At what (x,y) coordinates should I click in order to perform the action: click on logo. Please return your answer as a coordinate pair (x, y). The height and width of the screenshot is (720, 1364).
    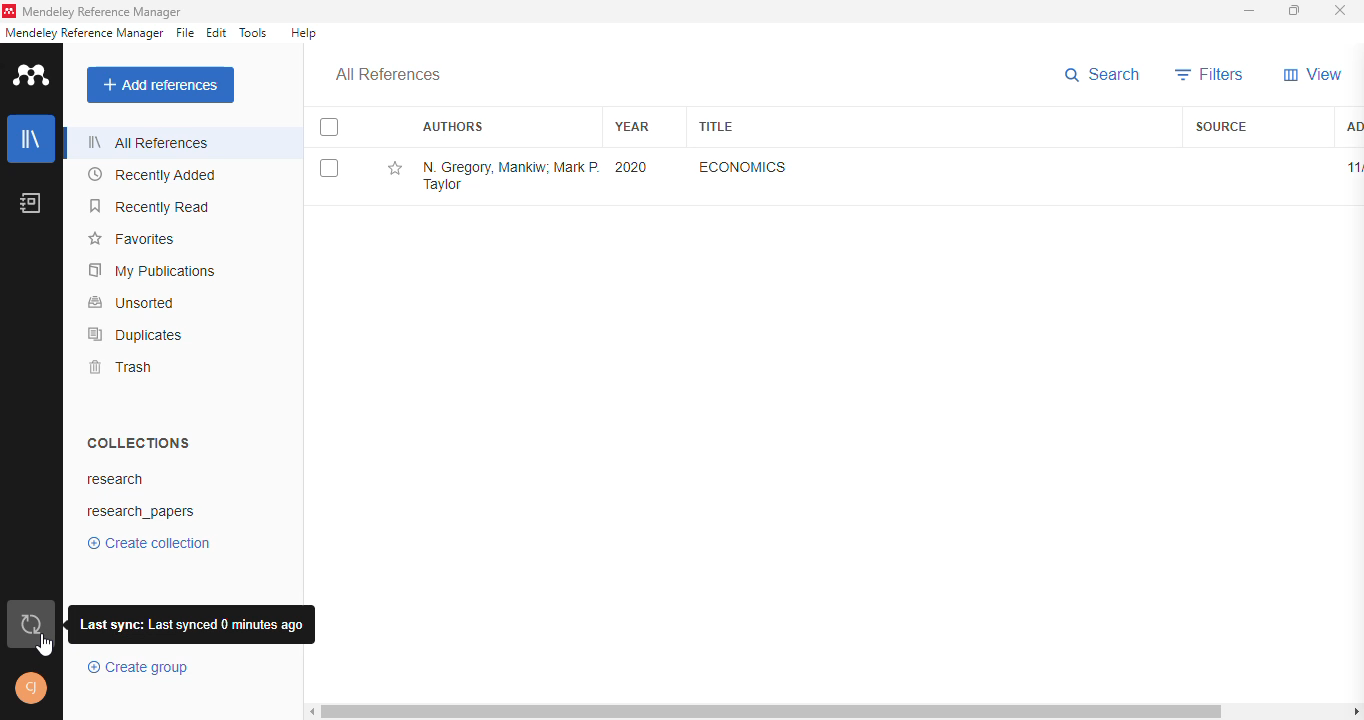
    Looking at the image, I should click on (32, 74).